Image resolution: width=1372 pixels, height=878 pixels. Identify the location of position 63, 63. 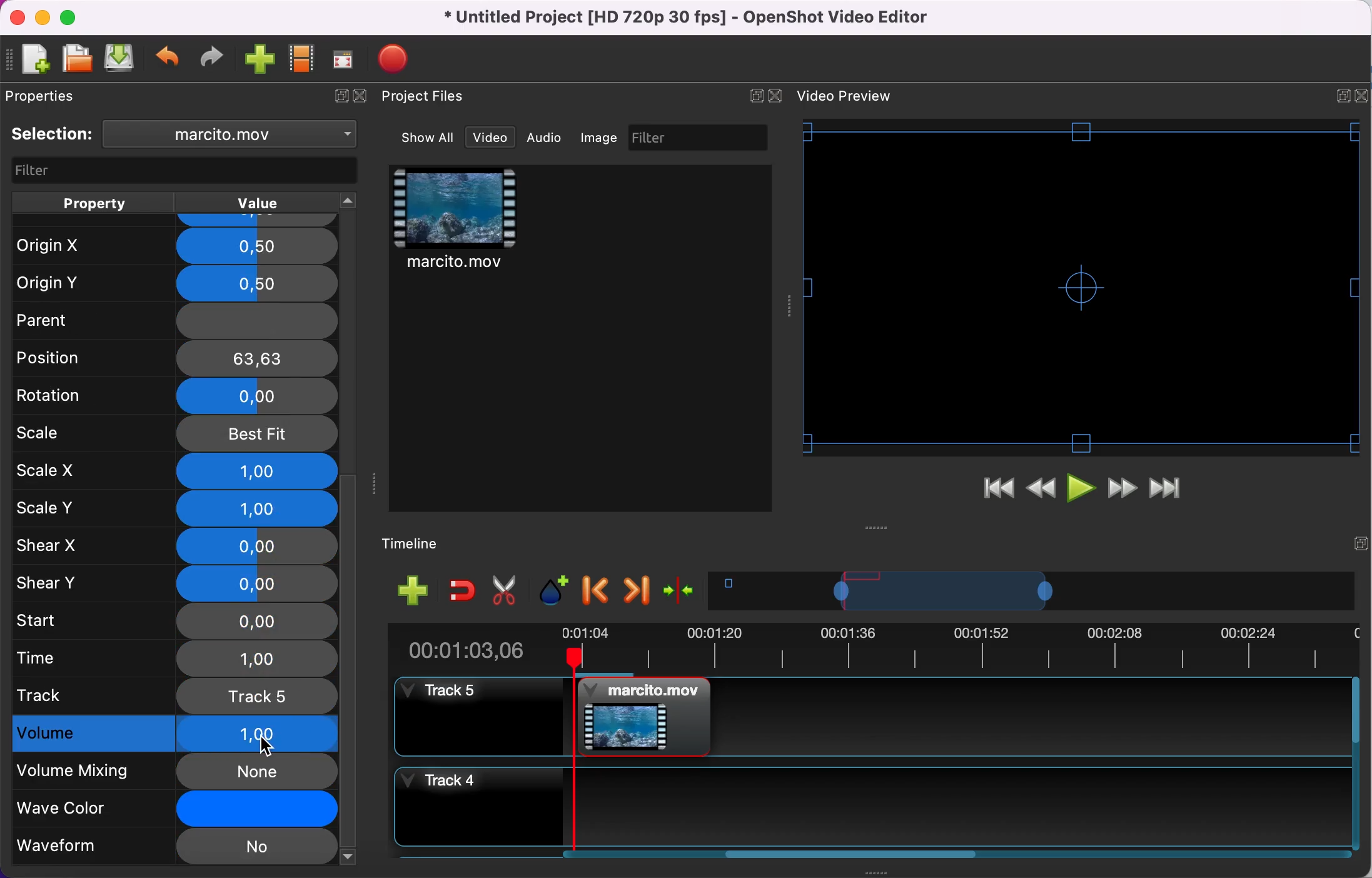
(178, 357).